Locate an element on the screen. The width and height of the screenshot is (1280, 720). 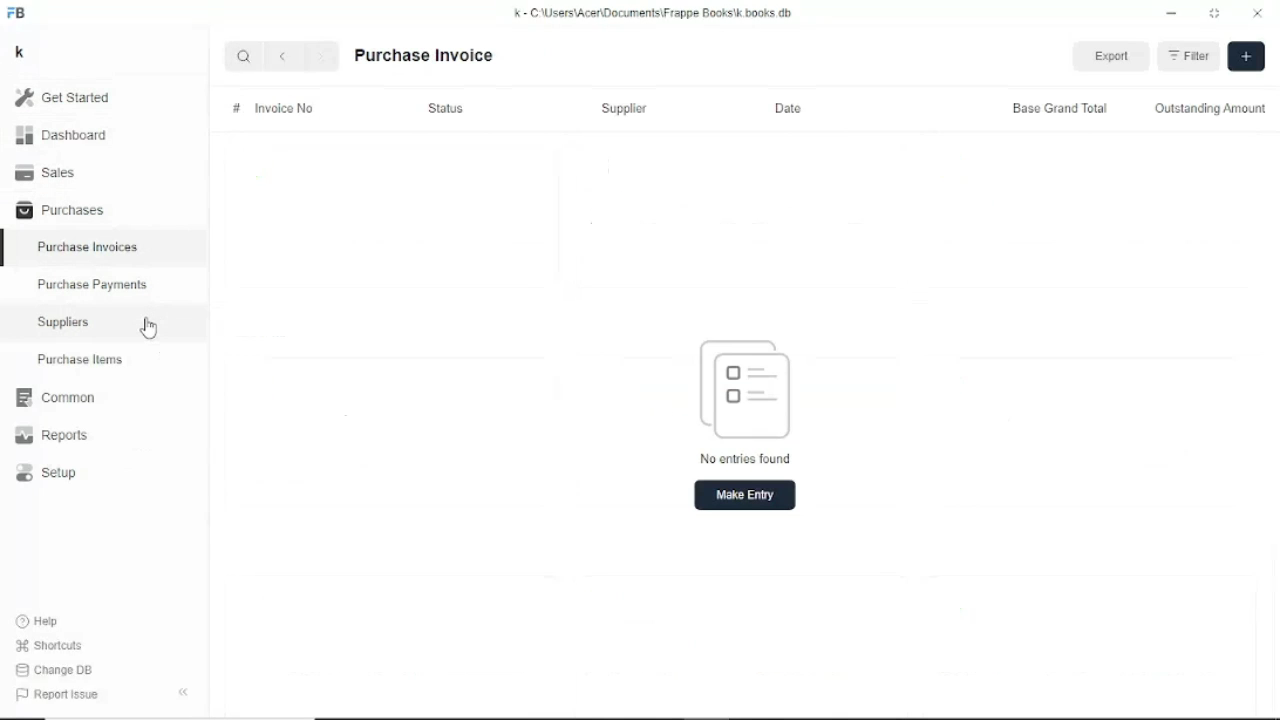
k is located at coordinates (19, 52).